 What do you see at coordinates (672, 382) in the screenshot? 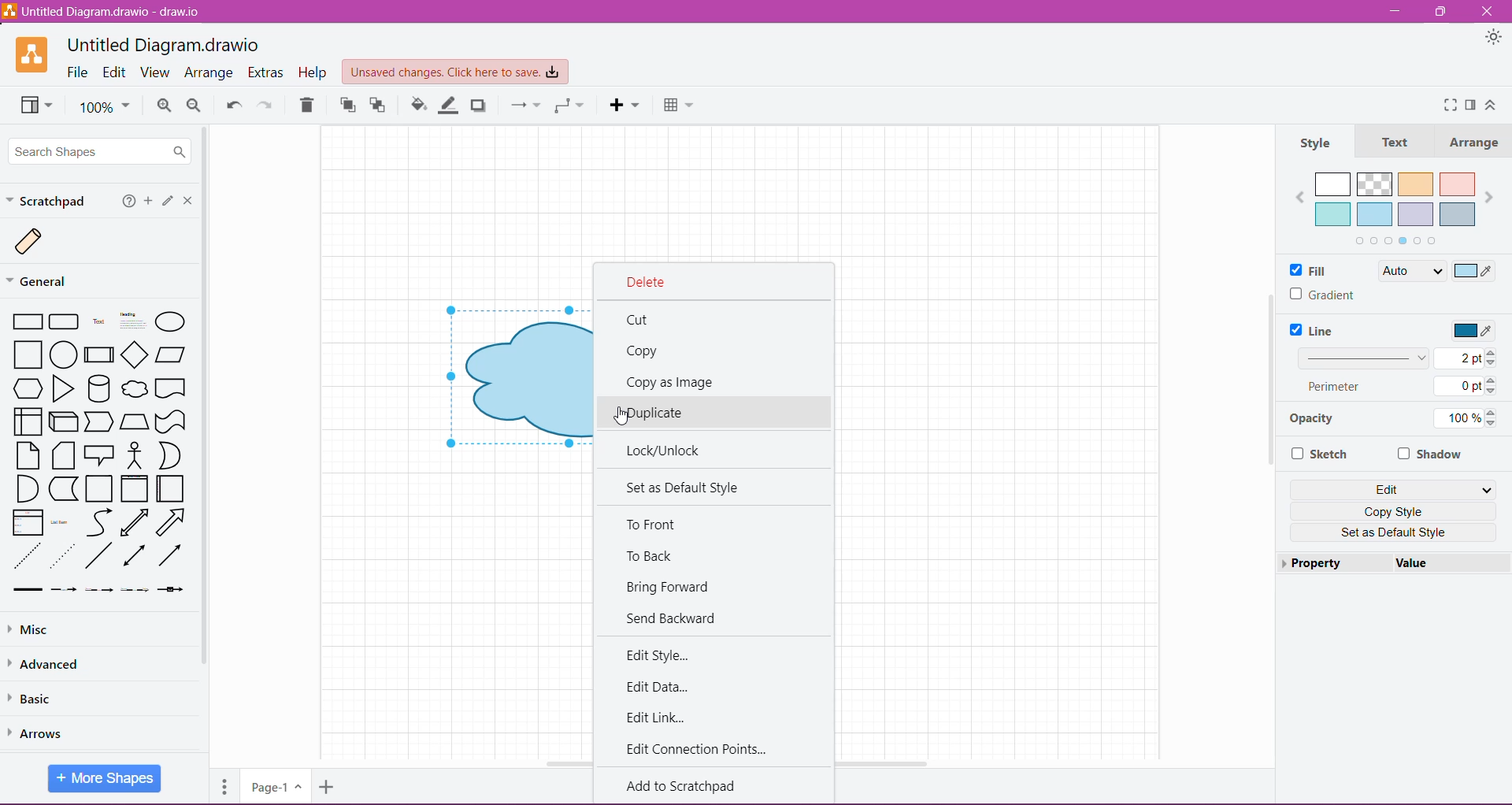
I see `Copy as Image` at bounding box center [672, 382].